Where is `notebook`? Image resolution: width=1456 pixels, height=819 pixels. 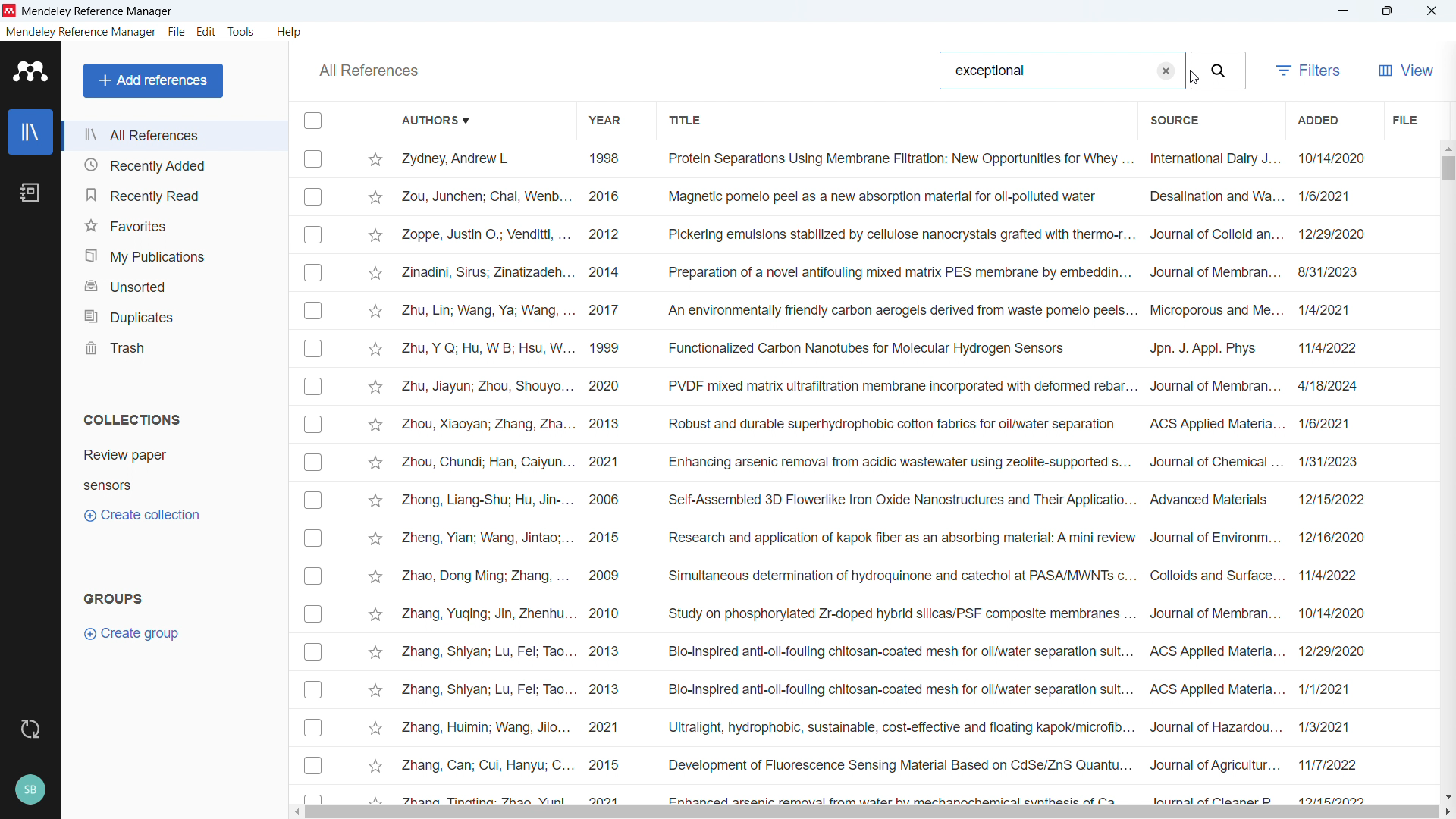
notebook is located at coordinates (30, 193).